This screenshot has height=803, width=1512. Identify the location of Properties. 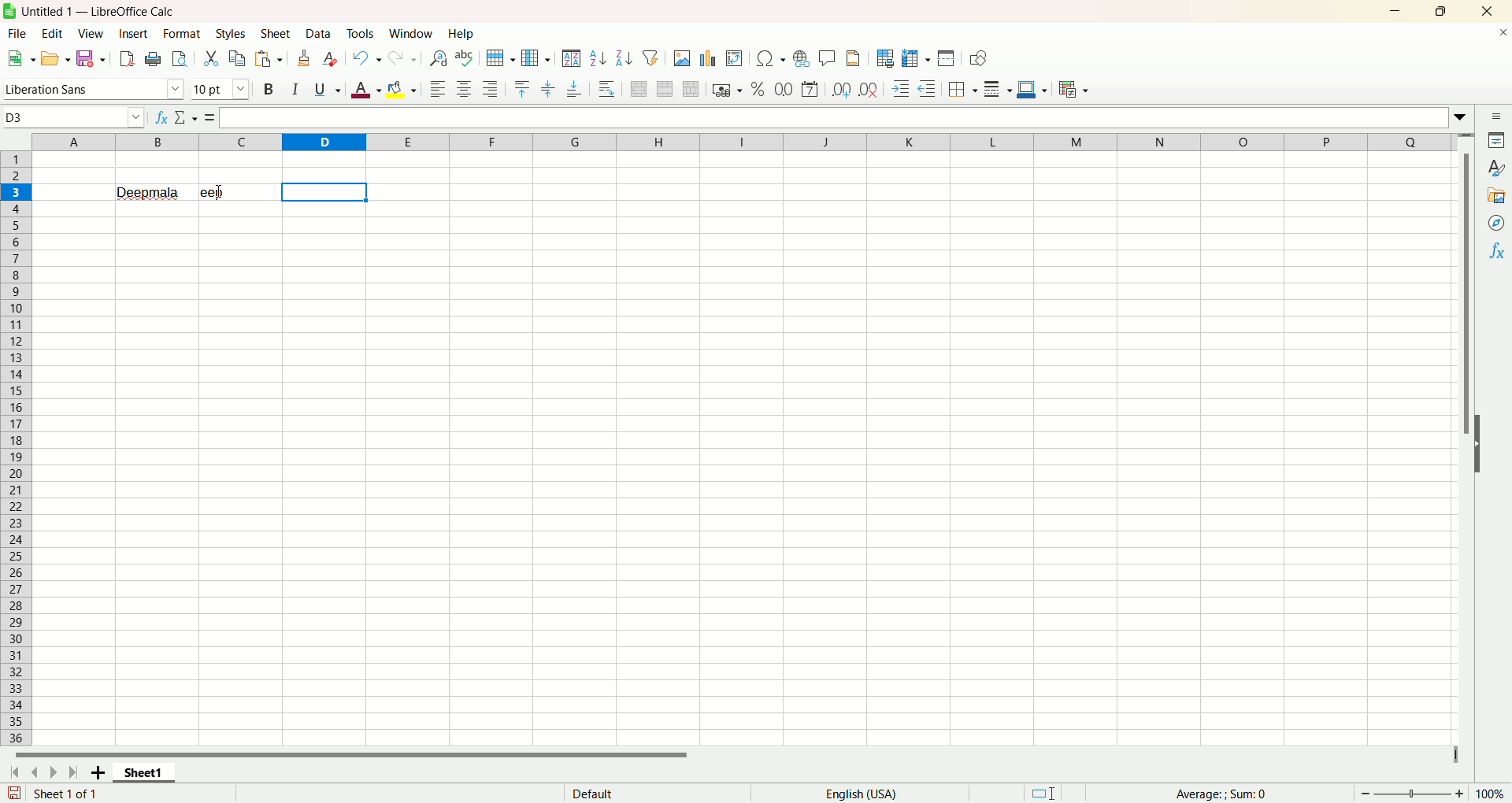
(1498, 141).